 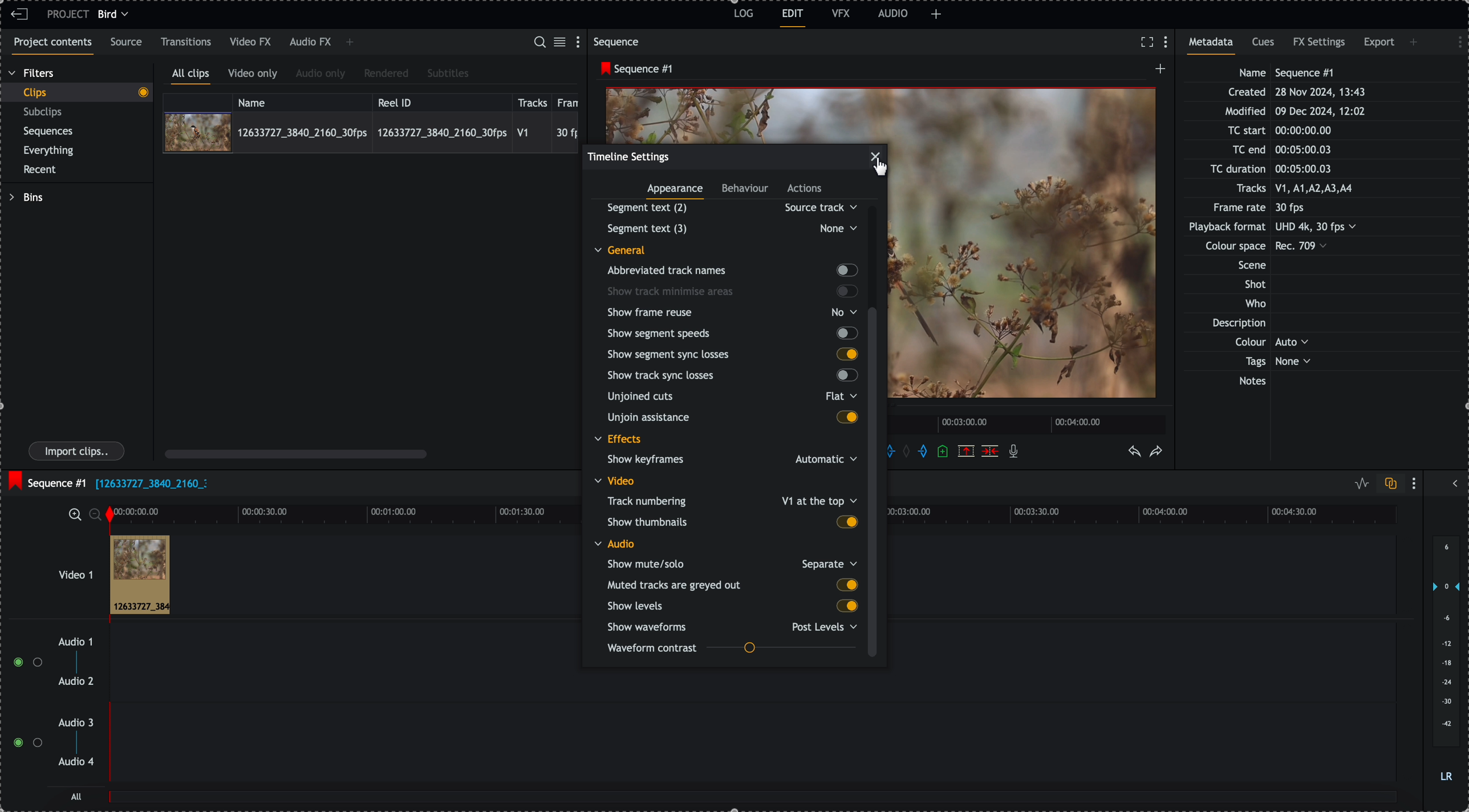 What do you see at coordinates (310, 43) in the screenshot?
I see `audio FX` at bounding box center [310, 43].